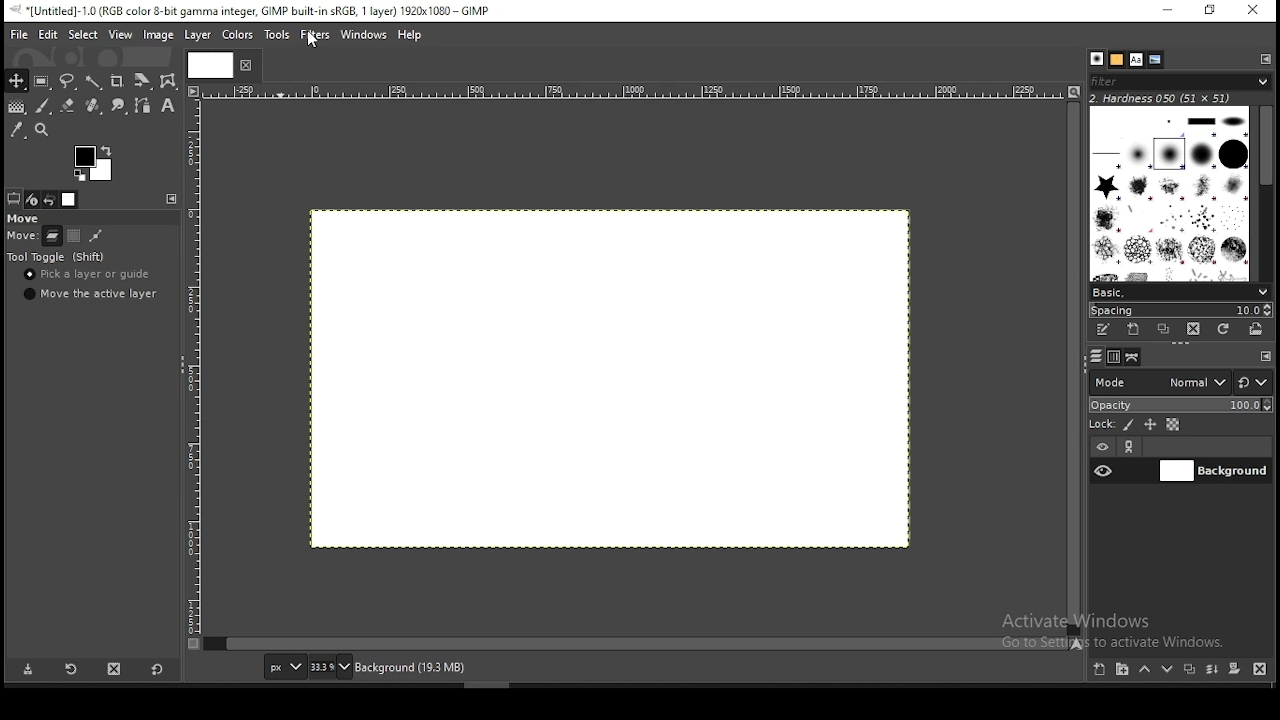 The image size is (1280, 720). I want to click on brushes, so click(1168, 194).